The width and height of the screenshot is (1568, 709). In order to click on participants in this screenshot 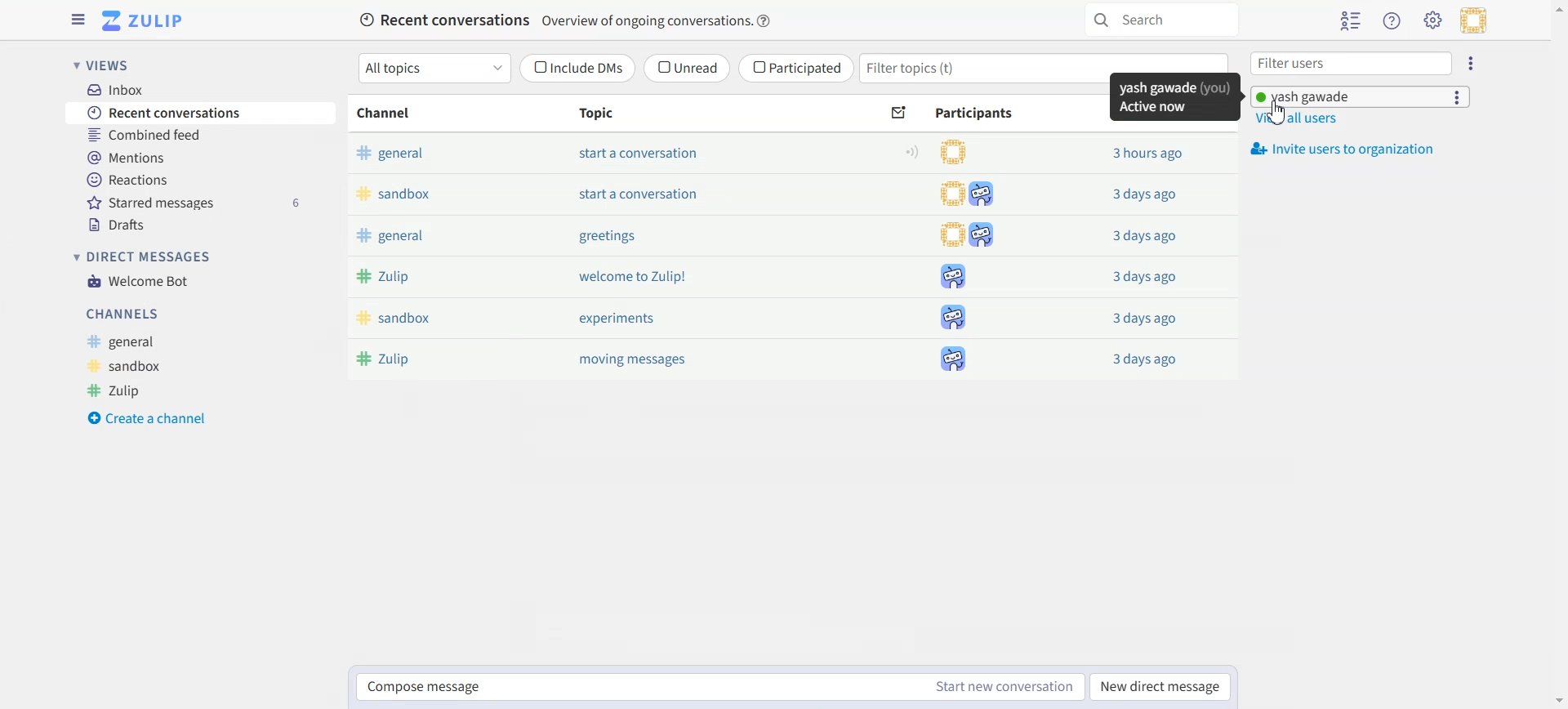, I will do `click(969, 194)`.